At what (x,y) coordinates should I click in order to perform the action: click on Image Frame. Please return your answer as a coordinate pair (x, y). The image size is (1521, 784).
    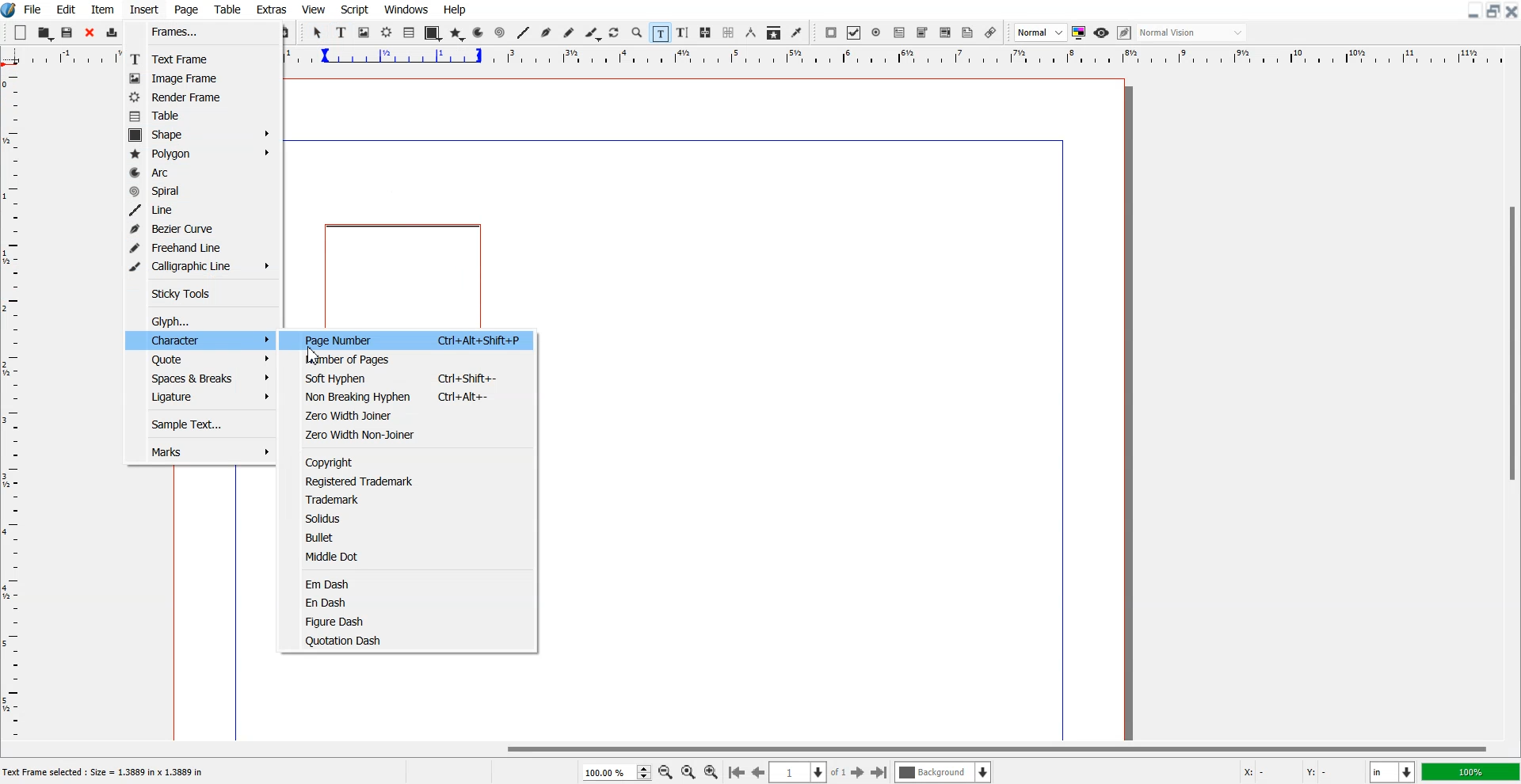
    Looking at the image, I should click on (364, 32).